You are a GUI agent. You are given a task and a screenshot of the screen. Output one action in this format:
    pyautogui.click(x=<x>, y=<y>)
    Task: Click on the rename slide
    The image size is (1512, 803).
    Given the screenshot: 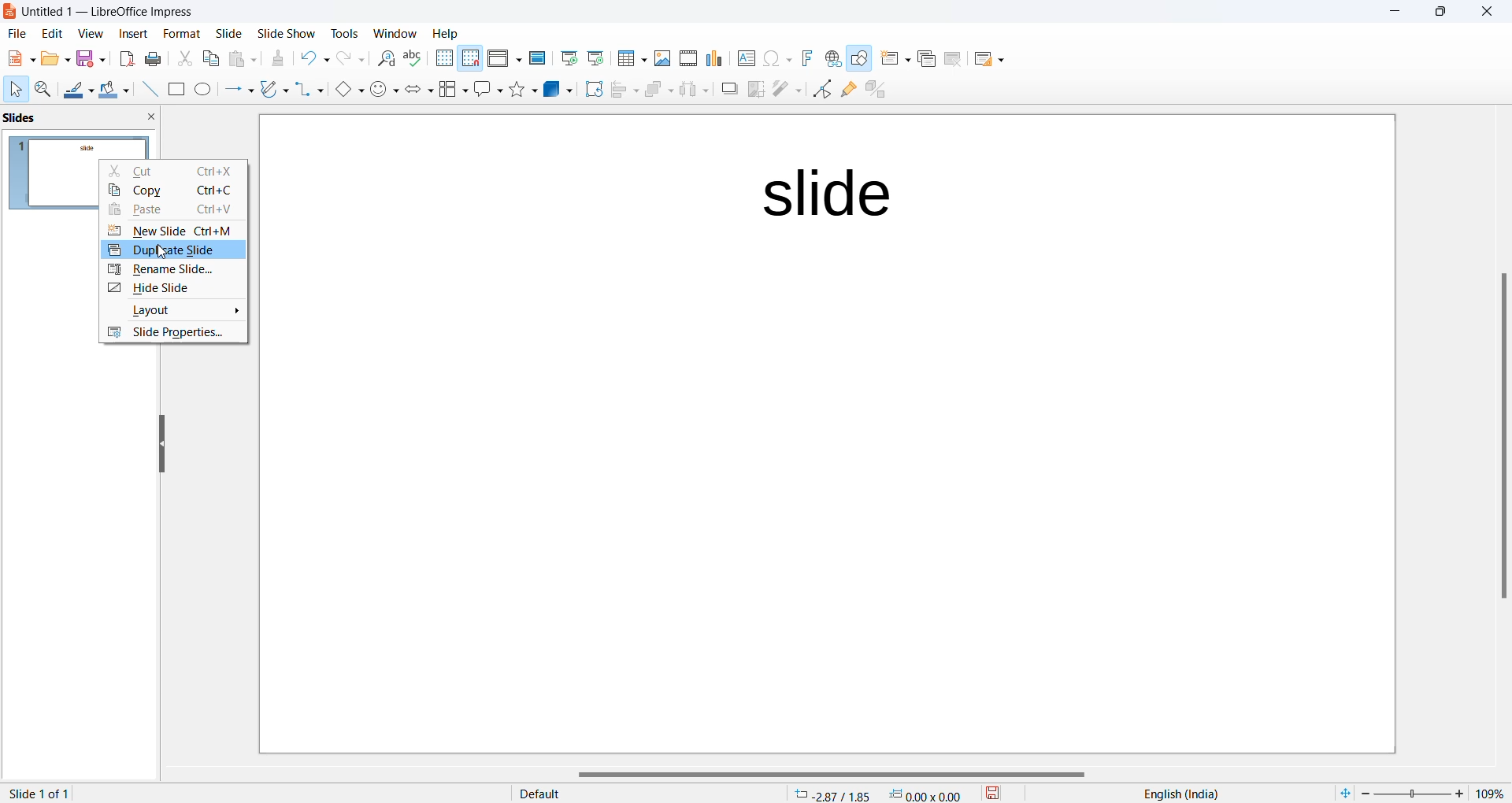 What is the action you would take?
    pyautogui.click(x=169, y=272)
    